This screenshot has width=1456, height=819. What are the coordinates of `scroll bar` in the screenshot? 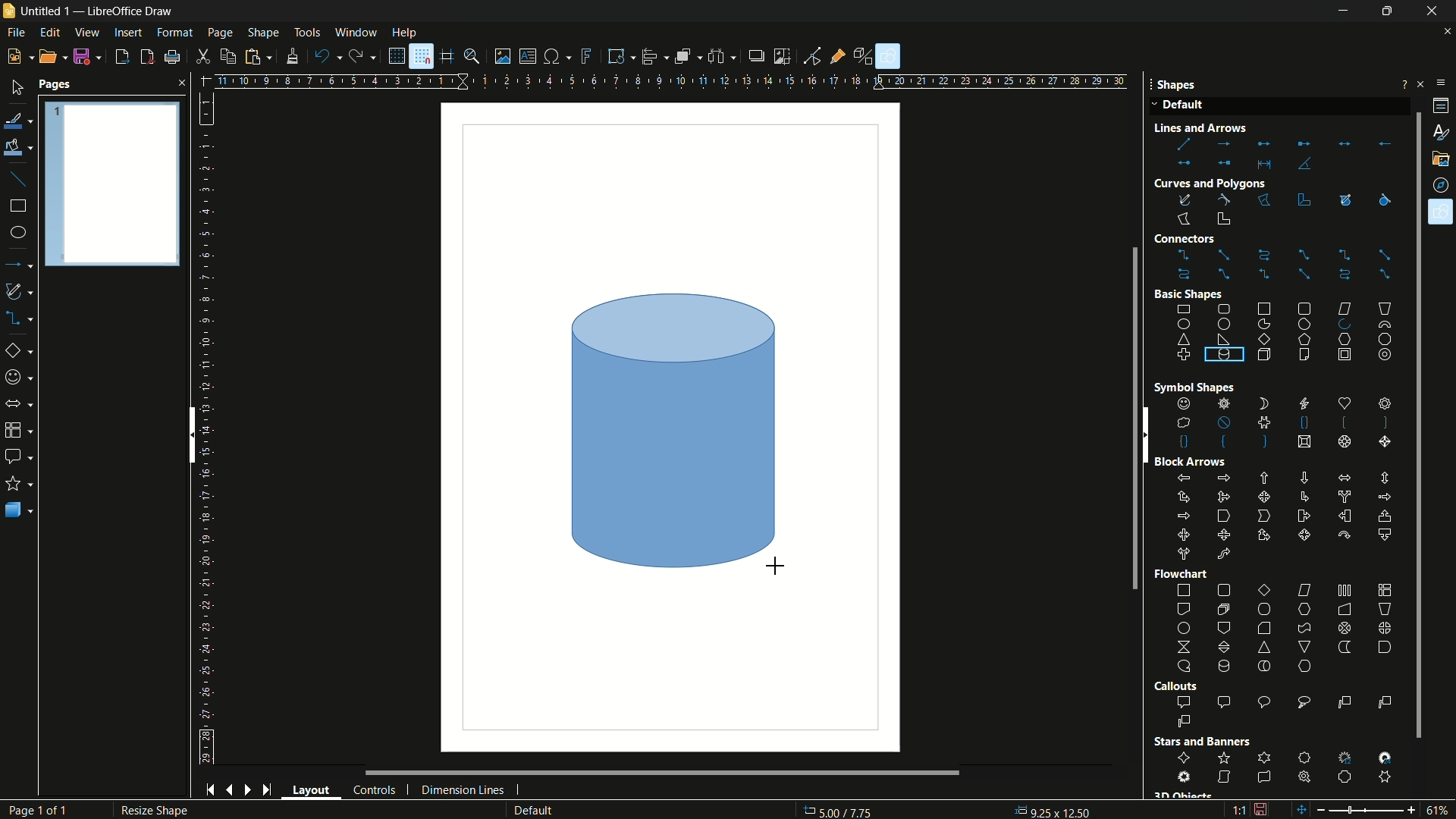 It's located at (190, 435).